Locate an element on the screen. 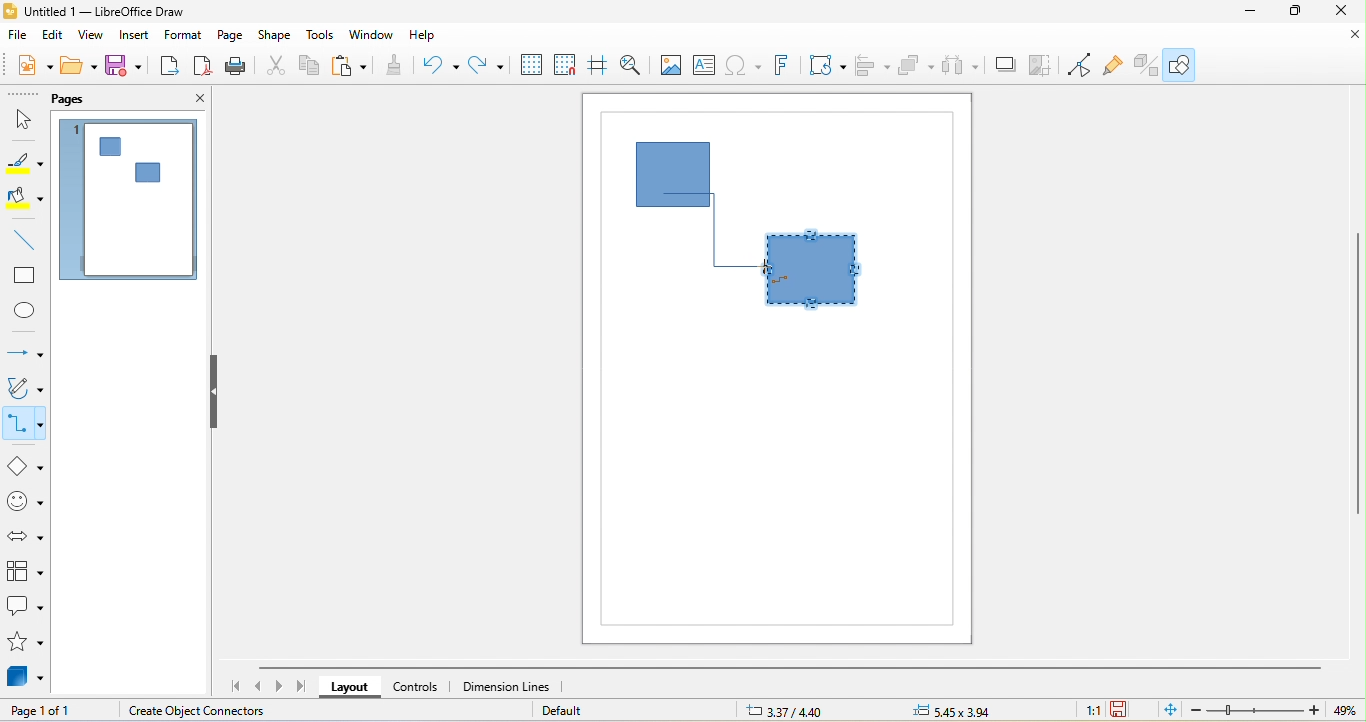 This screenshot has width=1366, height=722. print is located at coordinates (237, 68).